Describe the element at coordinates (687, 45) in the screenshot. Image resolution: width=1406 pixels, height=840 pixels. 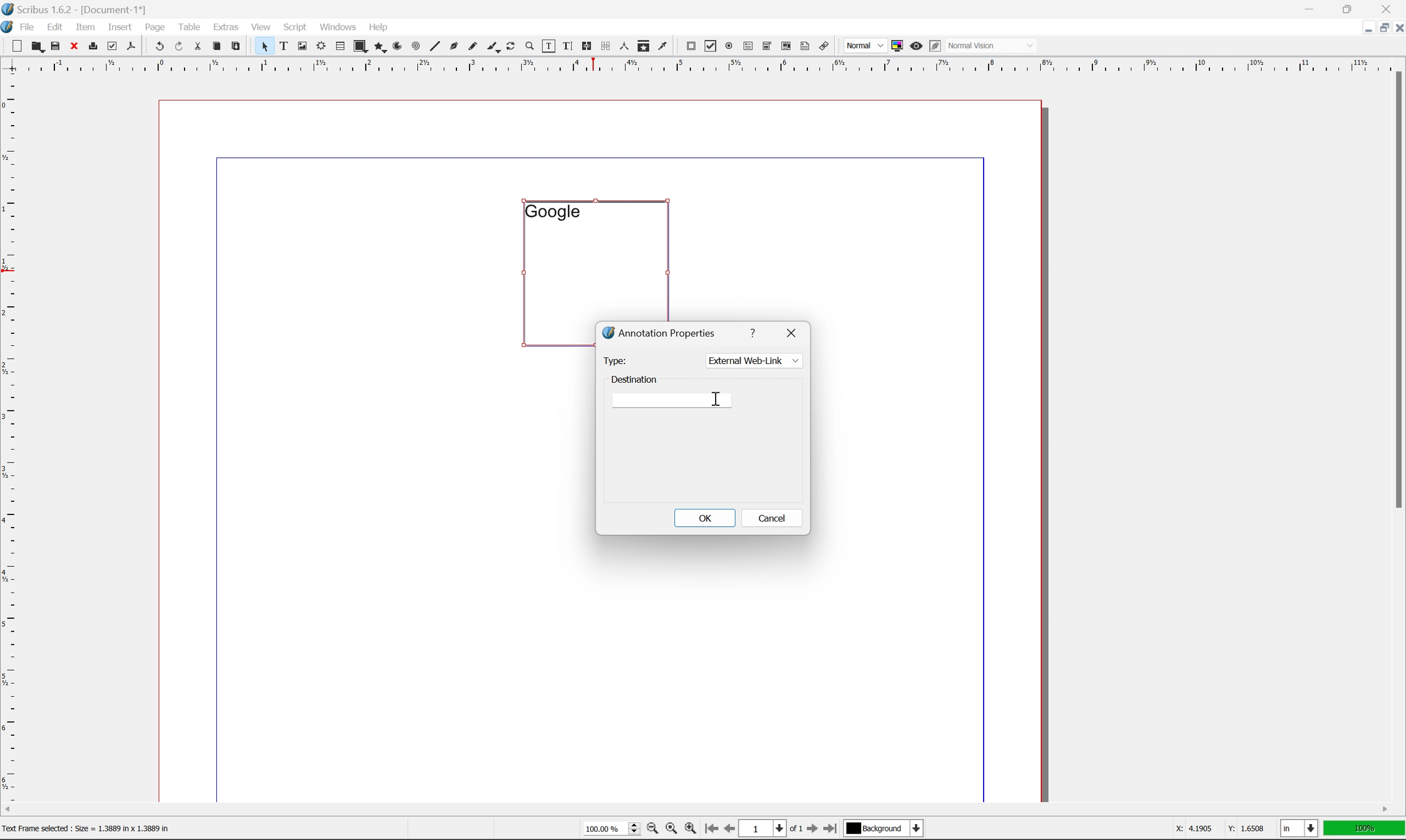
I see `pdf push button` at that location.